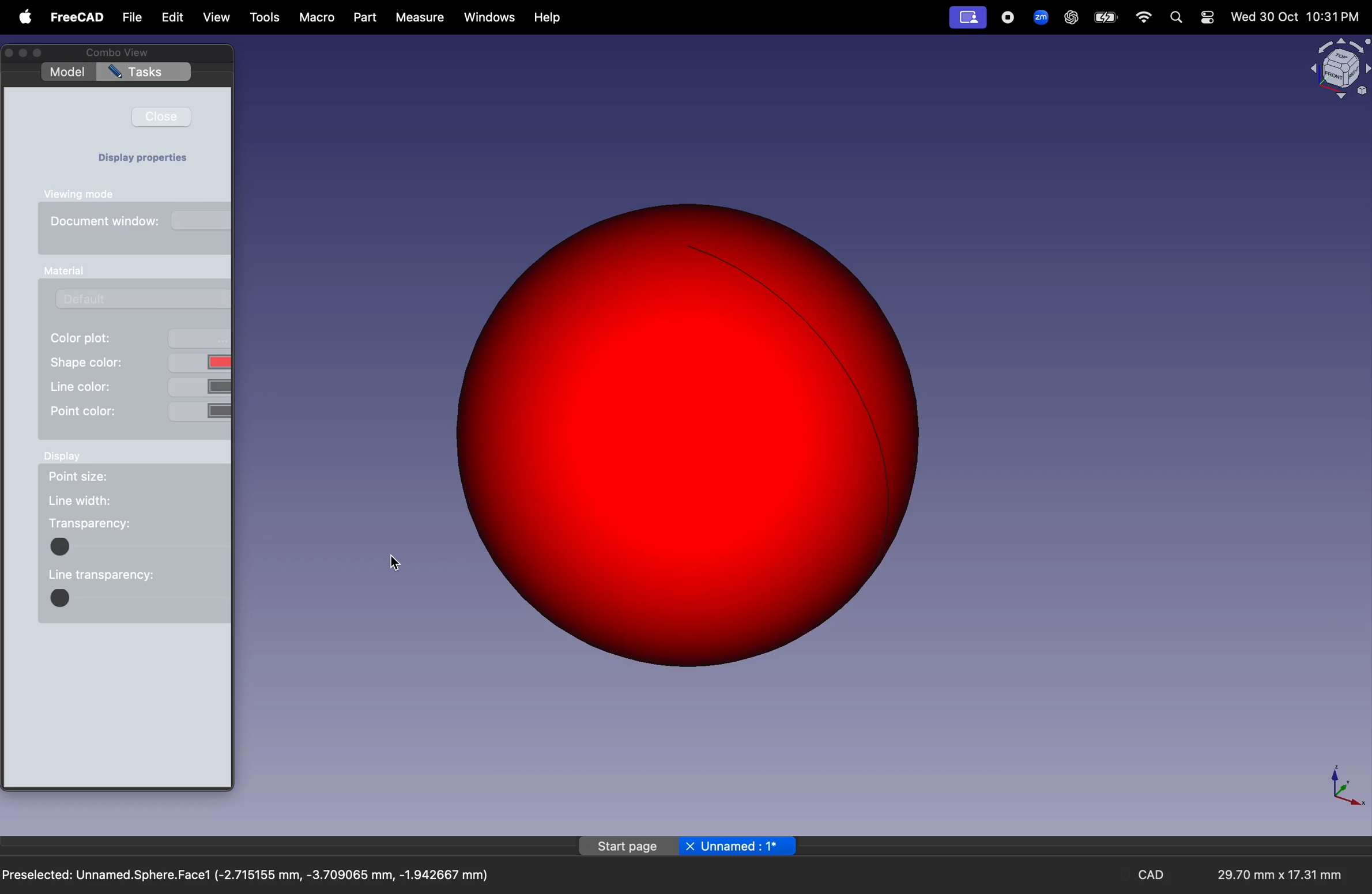 Image resolution: width=1372 pixels, height=894 pixels. Describe the element at coordinates (490, 17) in the screenshot. I see `windows` at that location.